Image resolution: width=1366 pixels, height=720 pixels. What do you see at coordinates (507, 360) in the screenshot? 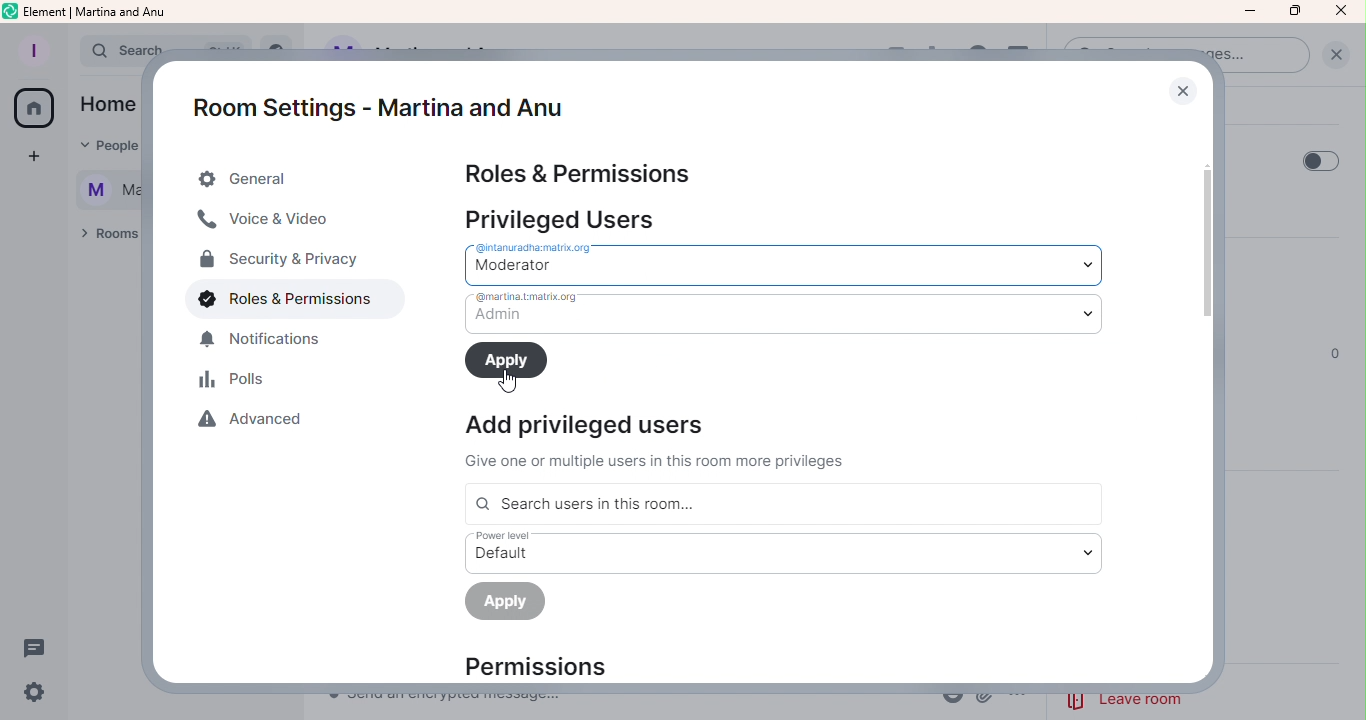
I see `Apply` at bounding box center [507, 360].